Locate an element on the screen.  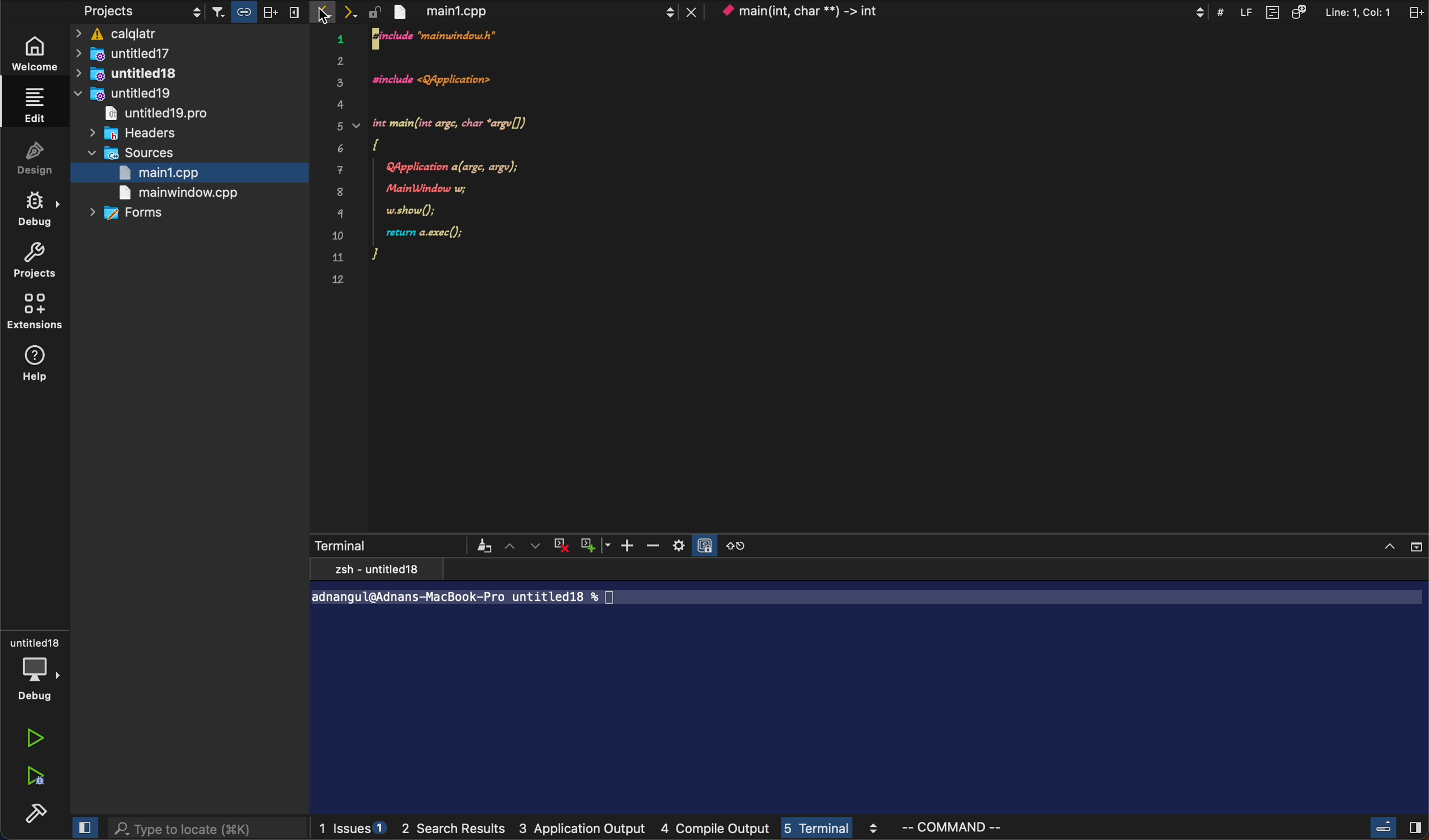
close is located at coordinates (1398, 544).